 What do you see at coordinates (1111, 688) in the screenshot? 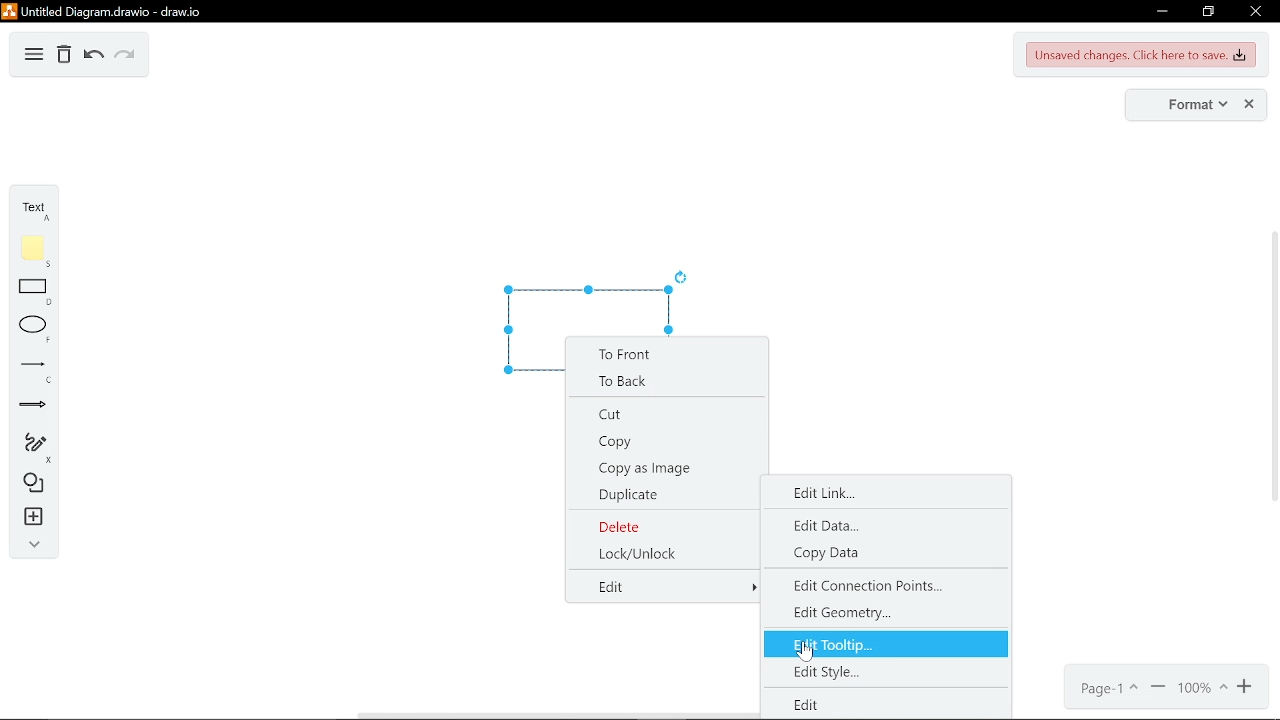
I see `page` at bounding box center [1111, 688].